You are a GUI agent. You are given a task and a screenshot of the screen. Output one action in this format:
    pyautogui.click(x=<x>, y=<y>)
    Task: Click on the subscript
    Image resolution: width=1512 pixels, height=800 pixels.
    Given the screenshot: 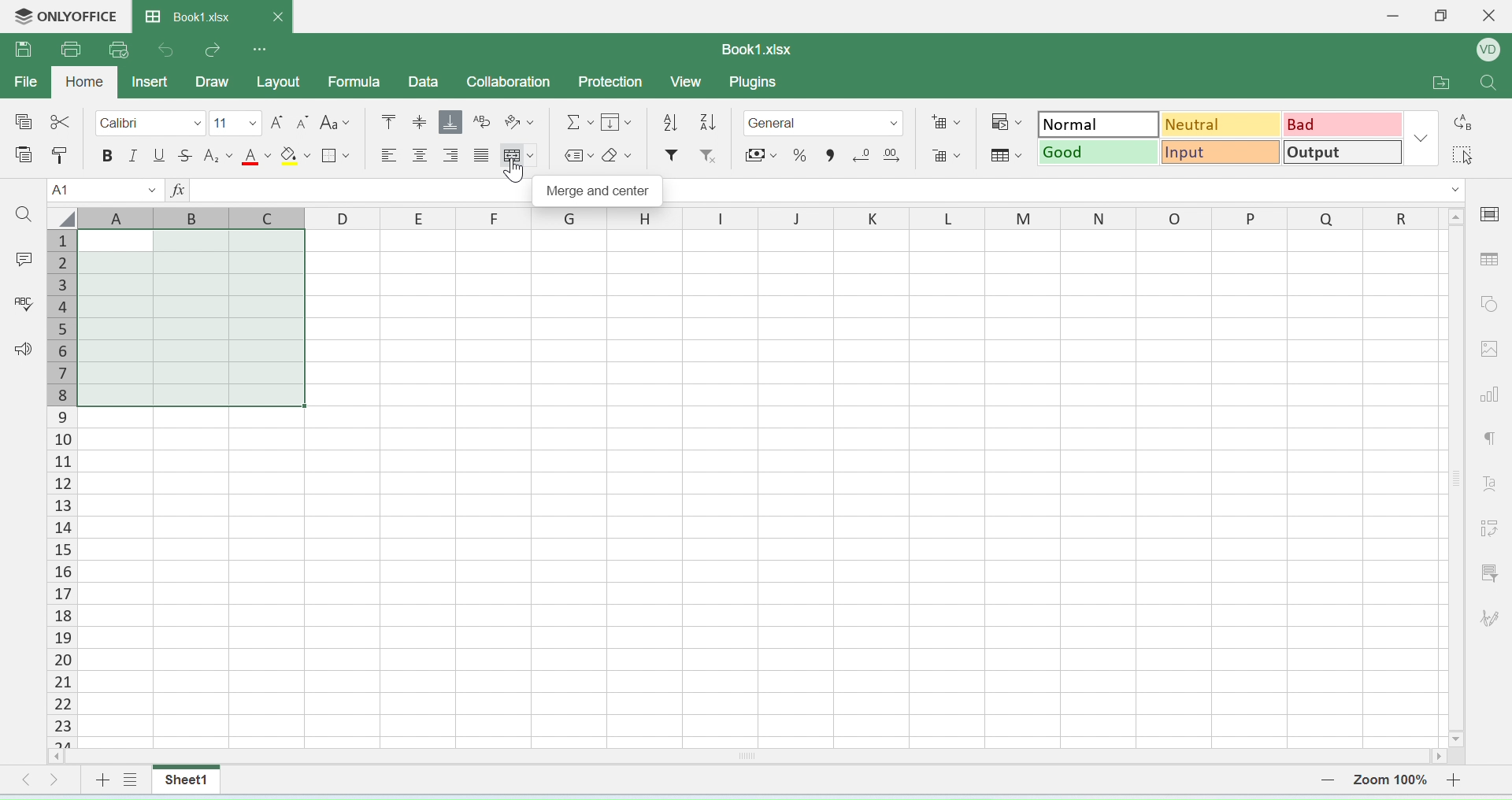 What is the action you would take?
    pyautogui.click(x=217, y=155)
    